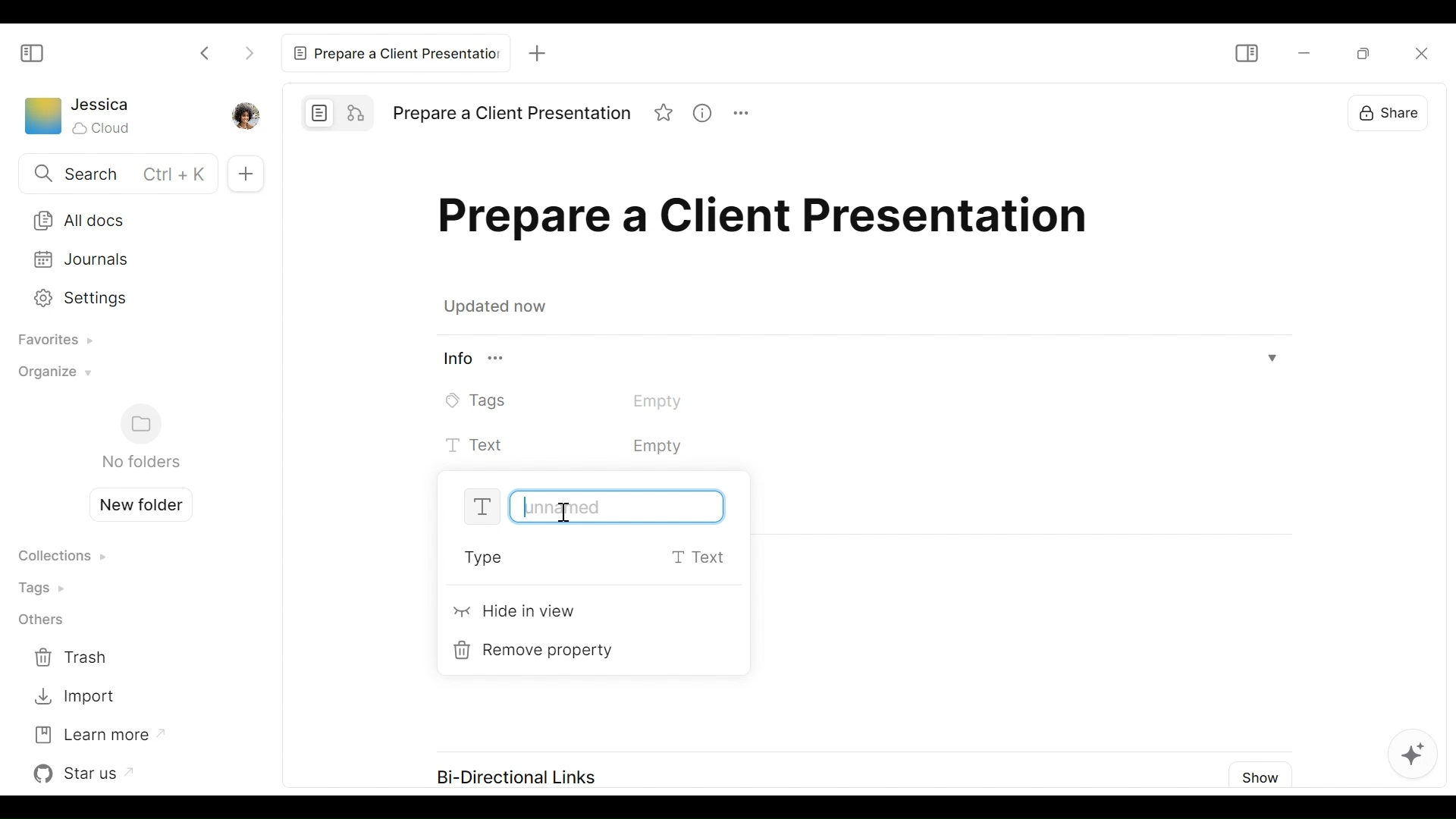 Image resolution: width=1456 pixels, height=819 pixels. Describe the element at coordinates (33, 52) in the screenshot. I see `Show/Hide Sidebar` at that location.